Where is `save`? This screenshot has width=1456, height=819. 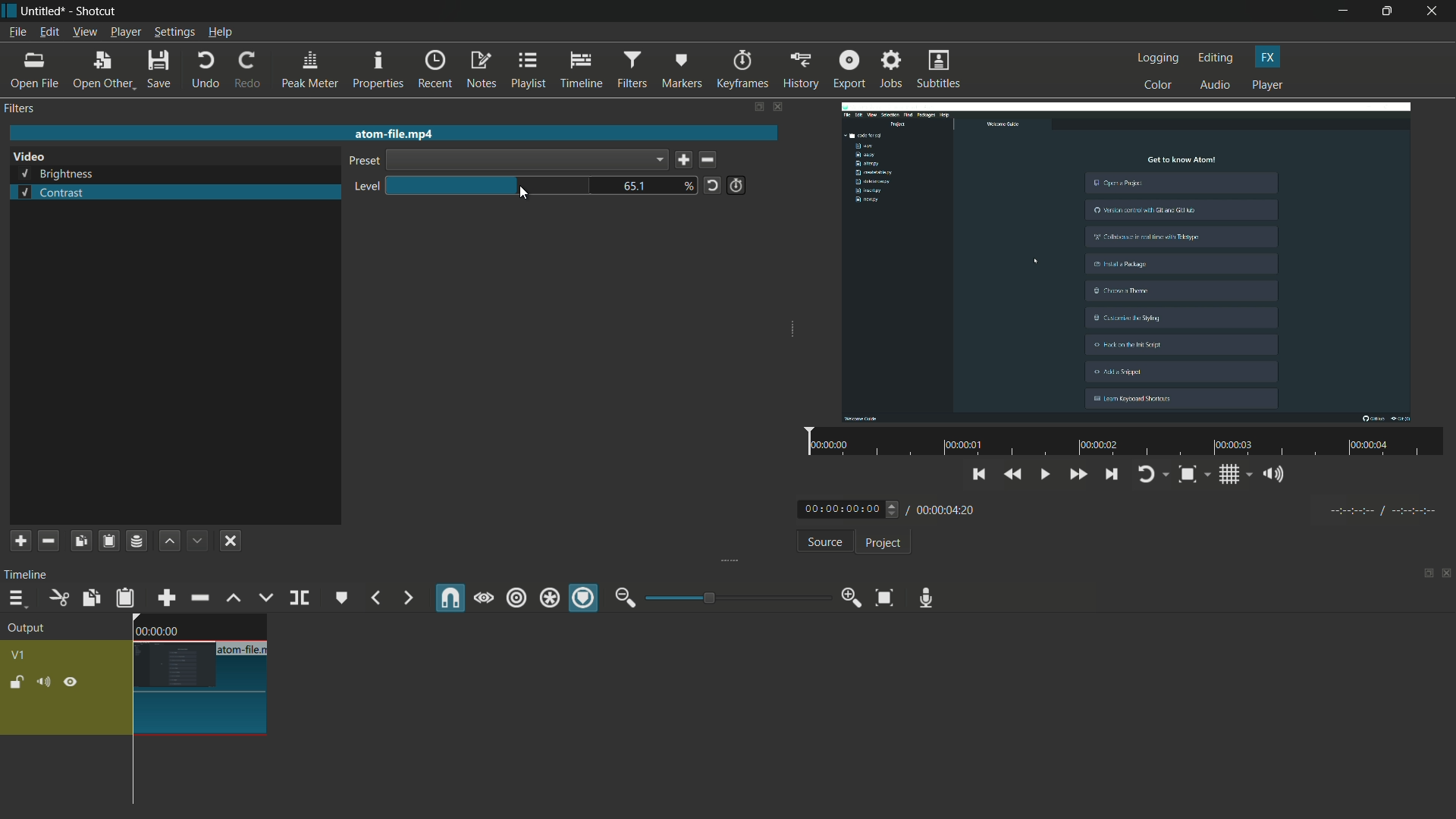 save is located at coordinates (161, 71).